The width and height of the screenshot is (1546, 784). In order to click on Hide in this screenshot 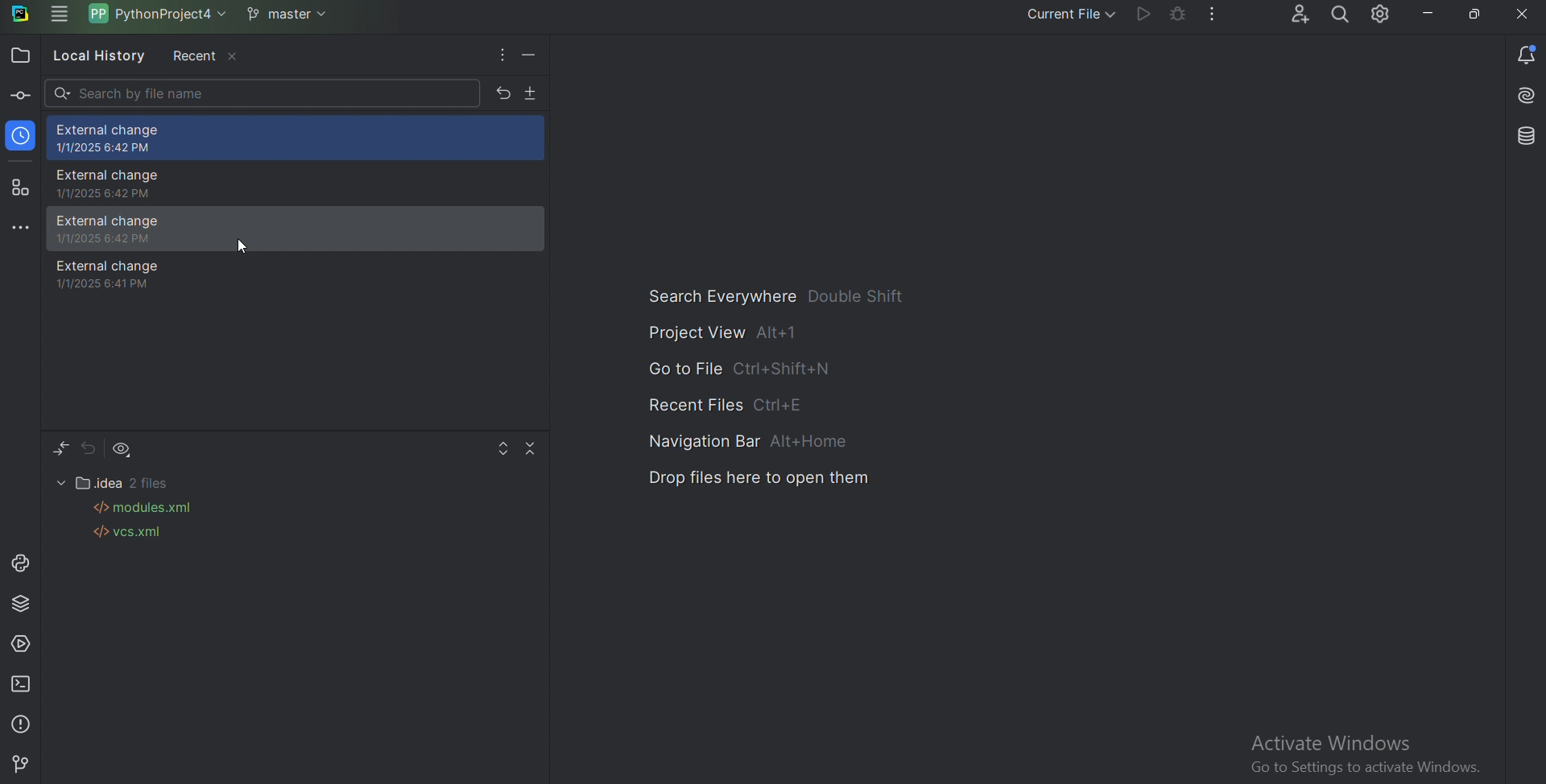, I will do `click(534, 56)`.